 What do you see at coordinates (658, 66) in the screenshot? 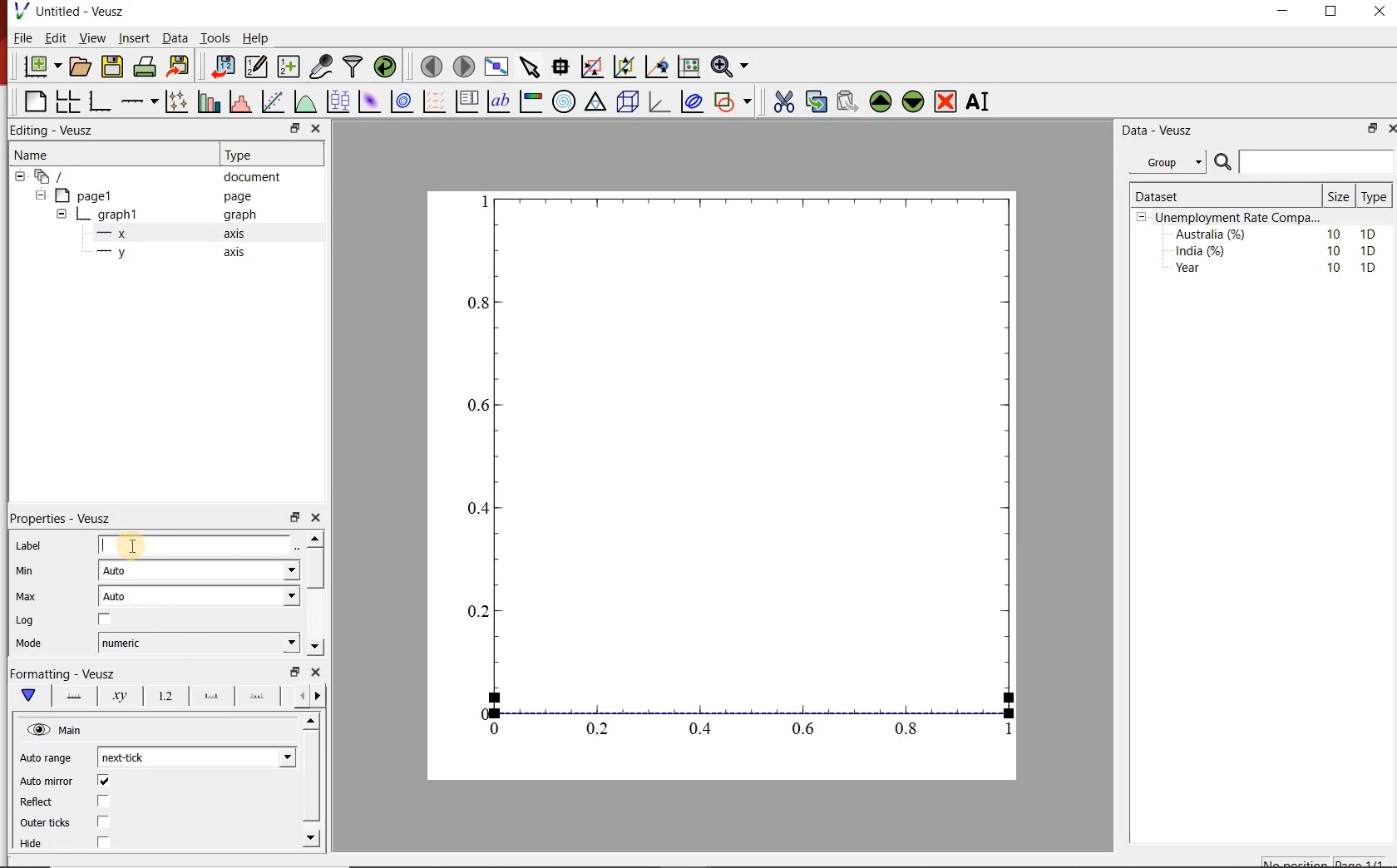
I see `click to recenter graph axes` at bounding box center [658, 66].